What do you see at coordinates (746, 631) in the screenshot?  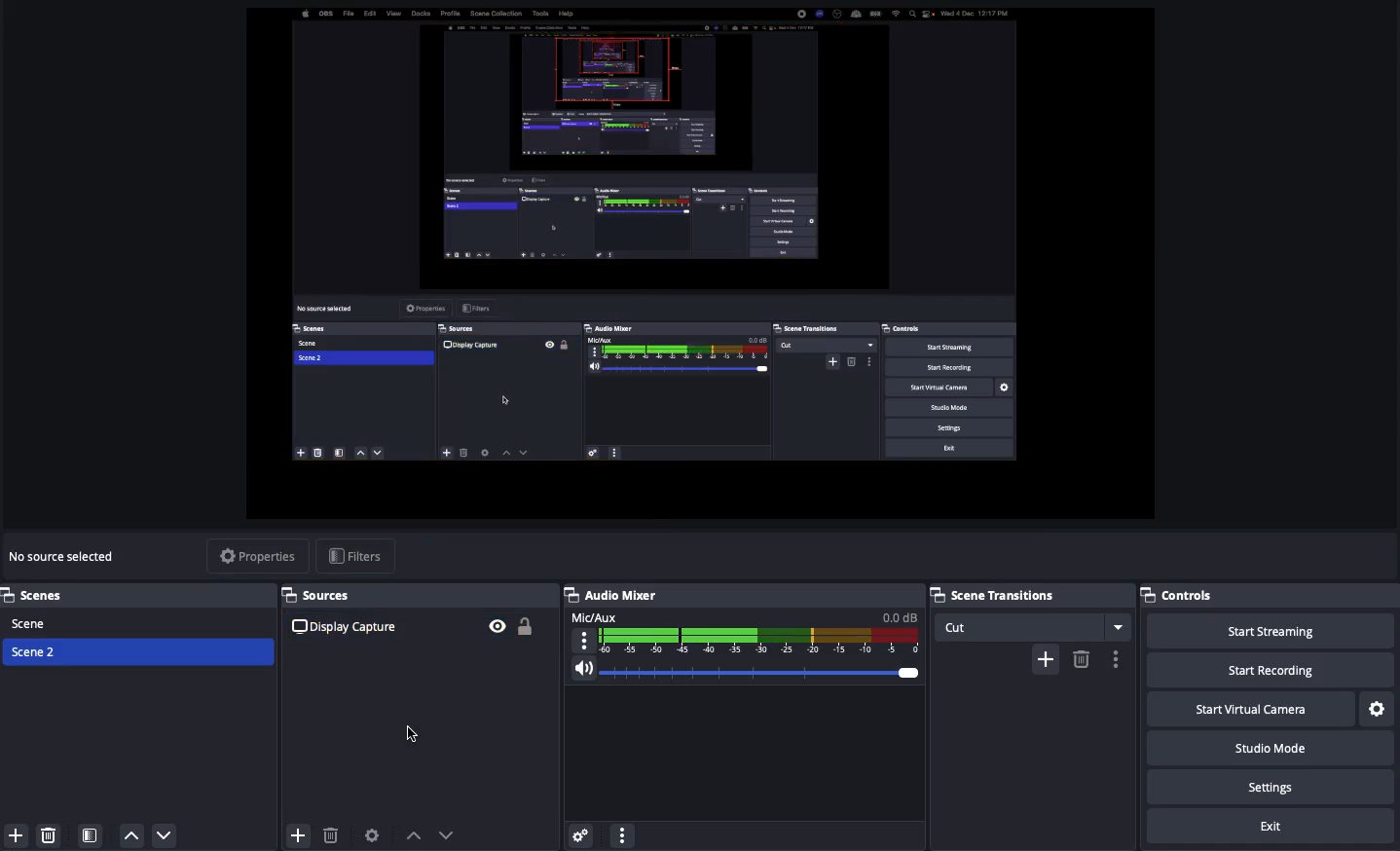 I see `Mic aux` at bounding box center [746, 631].